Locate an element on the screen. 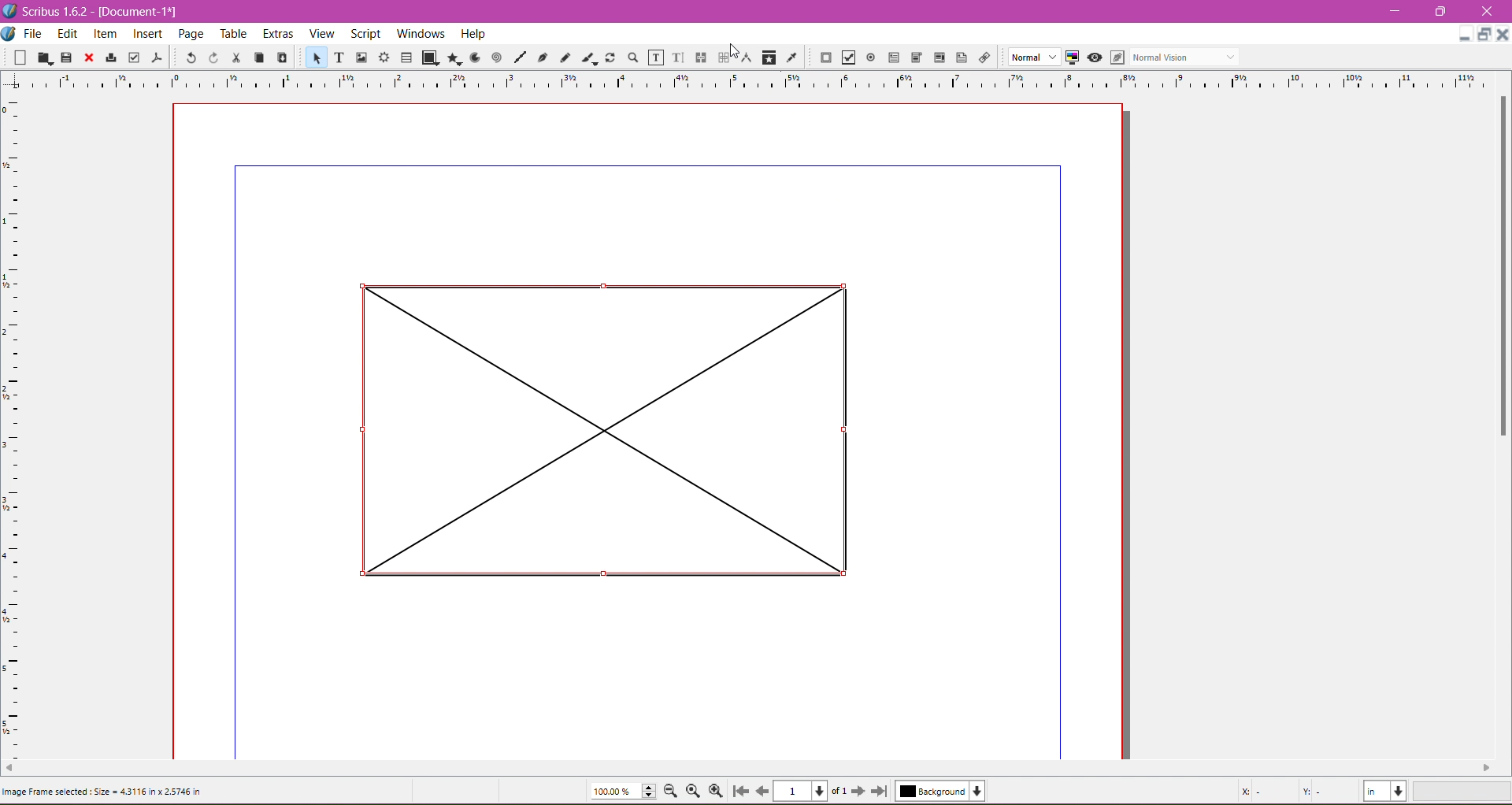 This screenshot has height=805, width=1512. Edit Contents of Frames is located at coordinates (654, 58).